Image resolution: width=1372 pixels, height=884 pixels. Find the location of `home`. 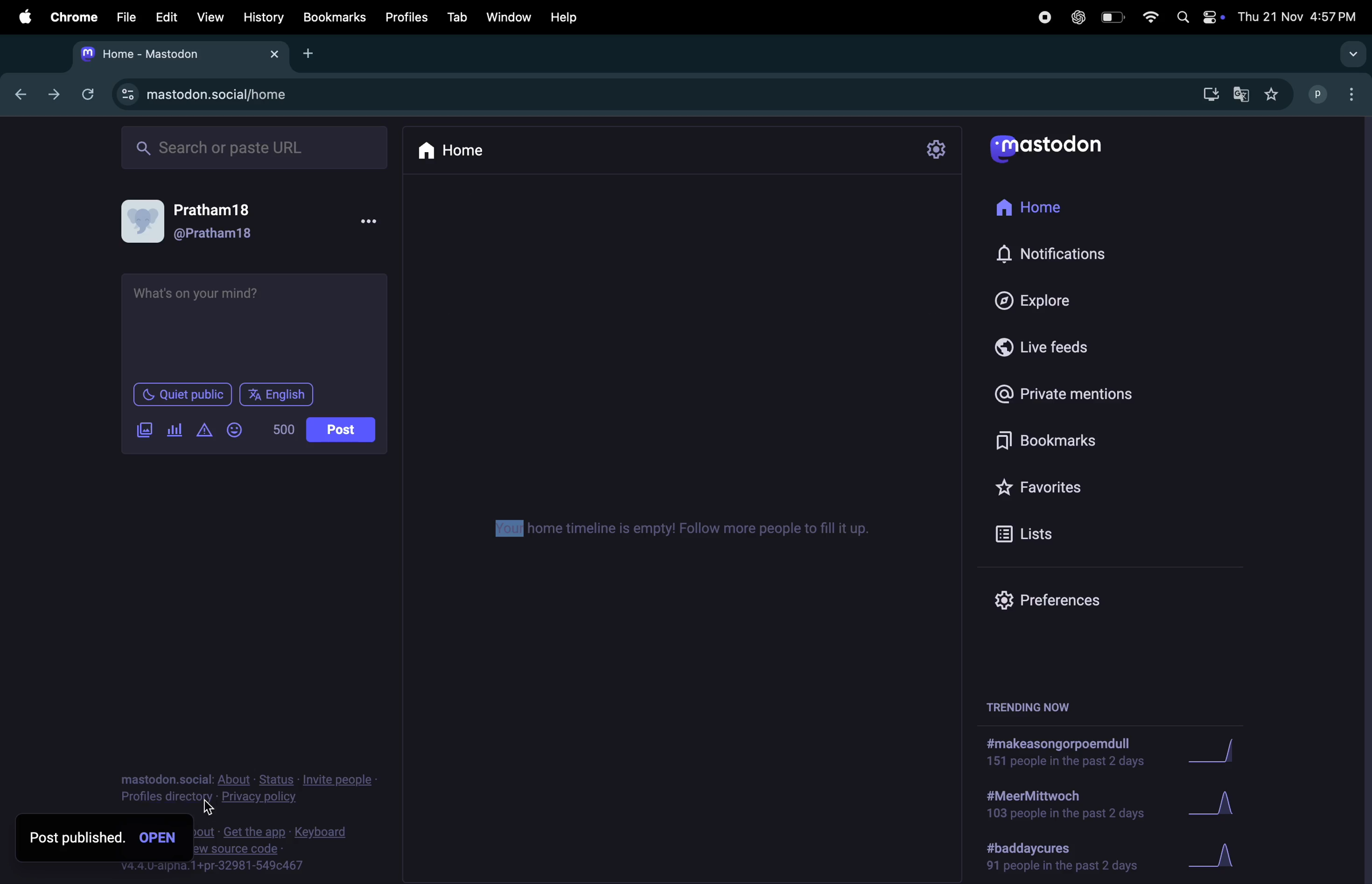

home is located at coordinates (1052, 203).